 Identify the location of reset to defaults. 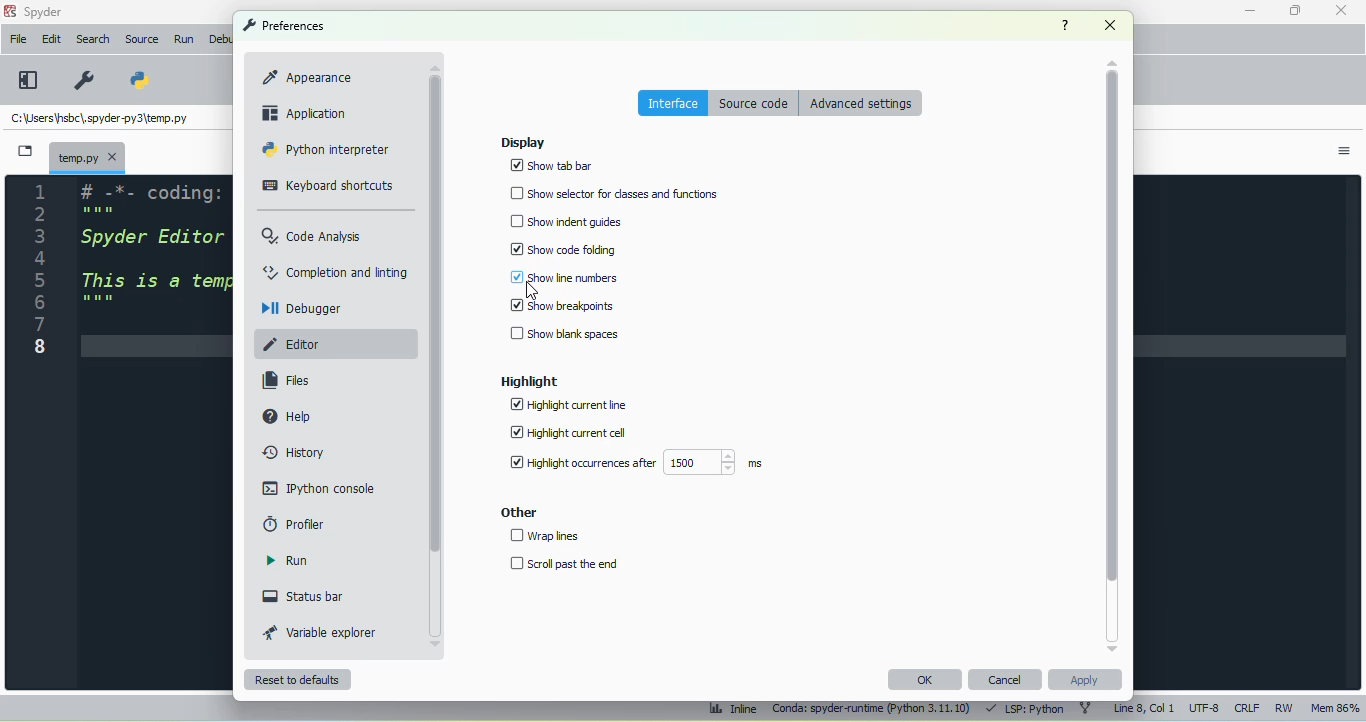
(299, 680).